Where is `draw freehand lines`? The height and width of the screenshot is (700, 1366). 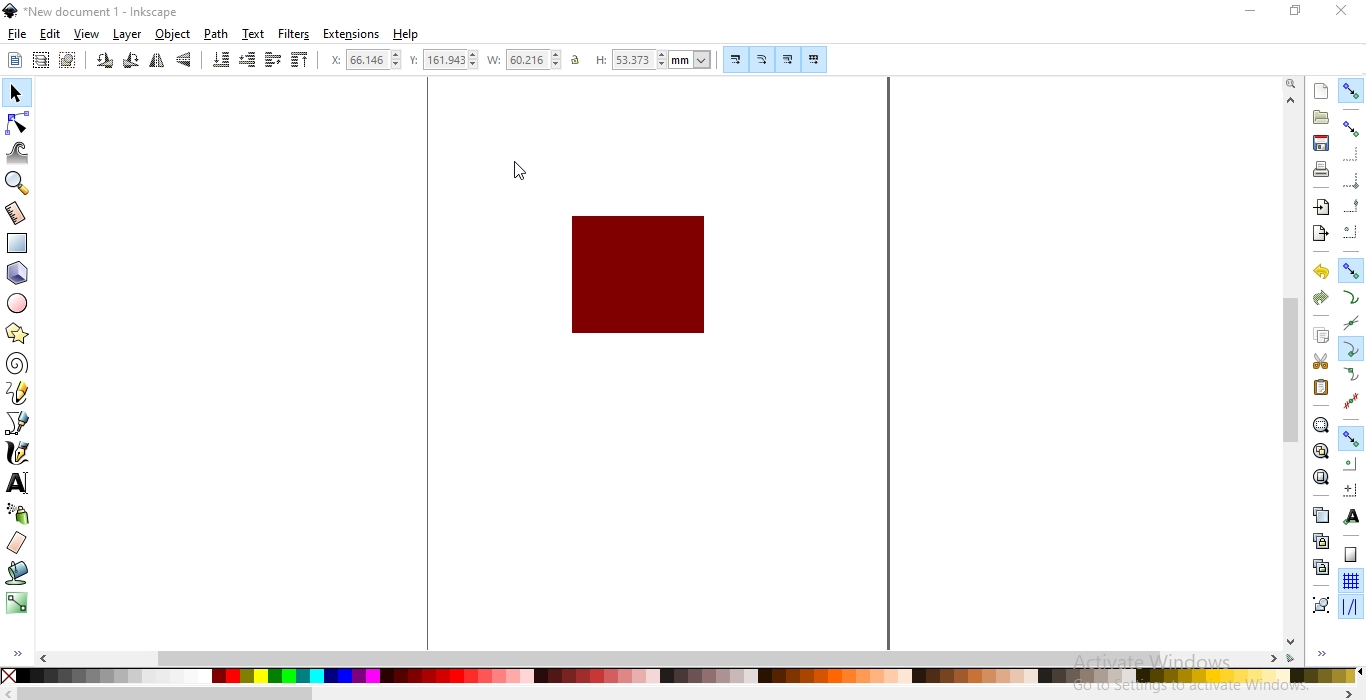
draw freehand lines is located at coordinates (17, 393).